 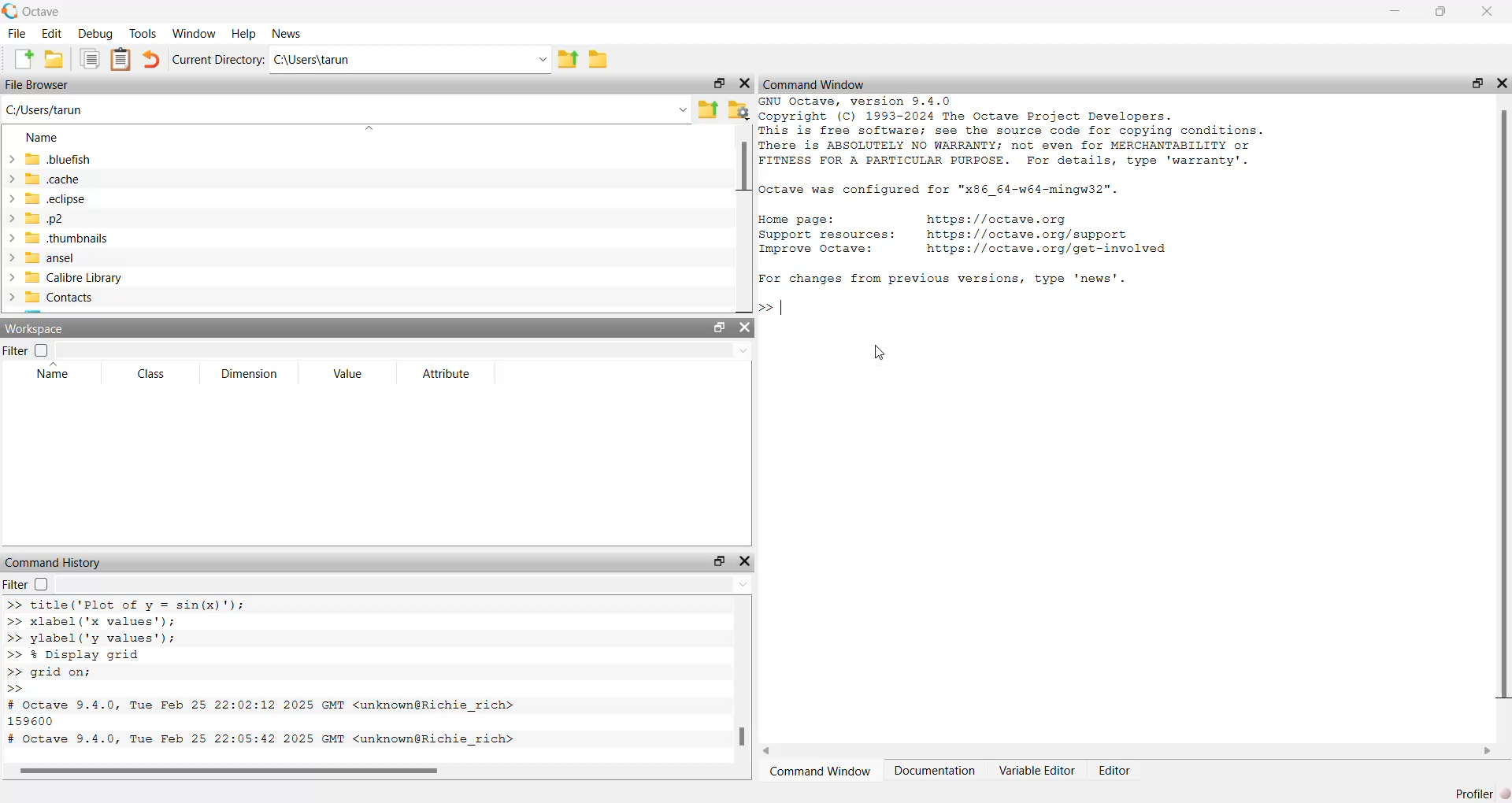 What do you see at coordinates (966, 190) in the screenshot?
I see `2 Octave was configured for "x86_64-w64-mingw32".` at bounding box center [966, 190].